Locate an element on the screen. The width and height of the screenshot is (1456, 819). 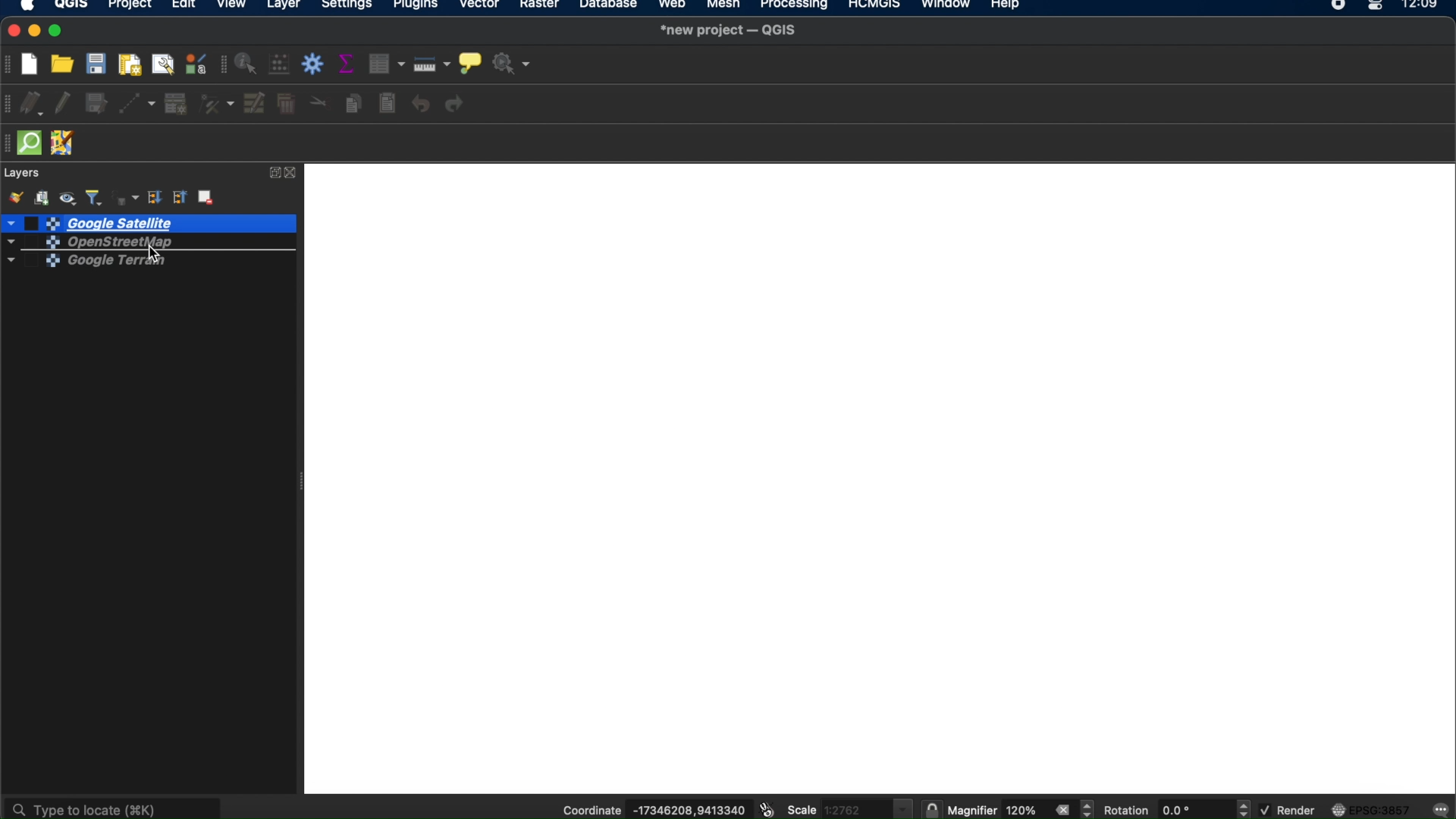
12.09 is located at coordinates (1426, 6).